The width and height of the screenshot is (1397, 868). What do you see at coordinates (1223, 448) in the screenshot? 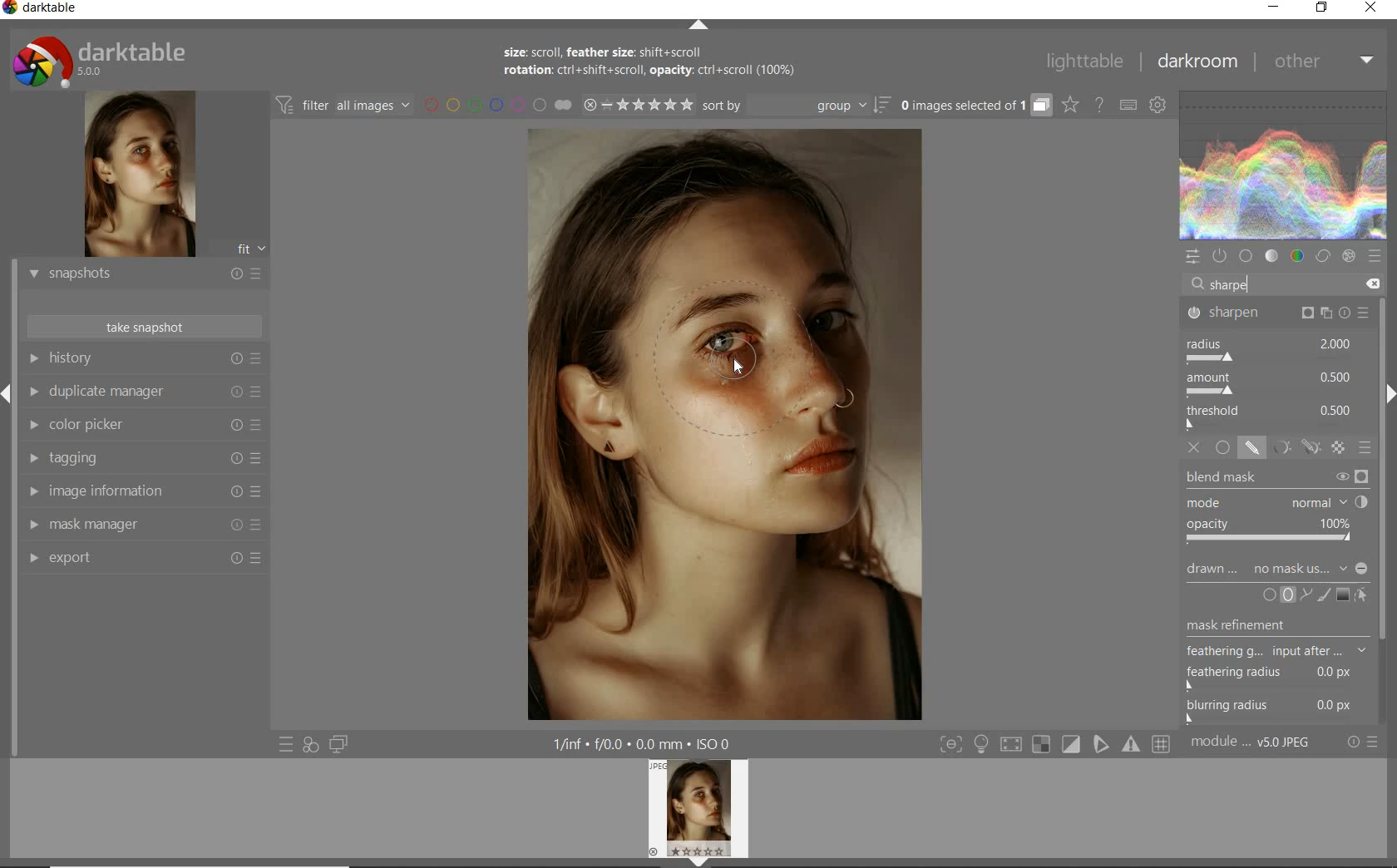
I see `UNIFORMLY` at bounding box center [1223, 448].